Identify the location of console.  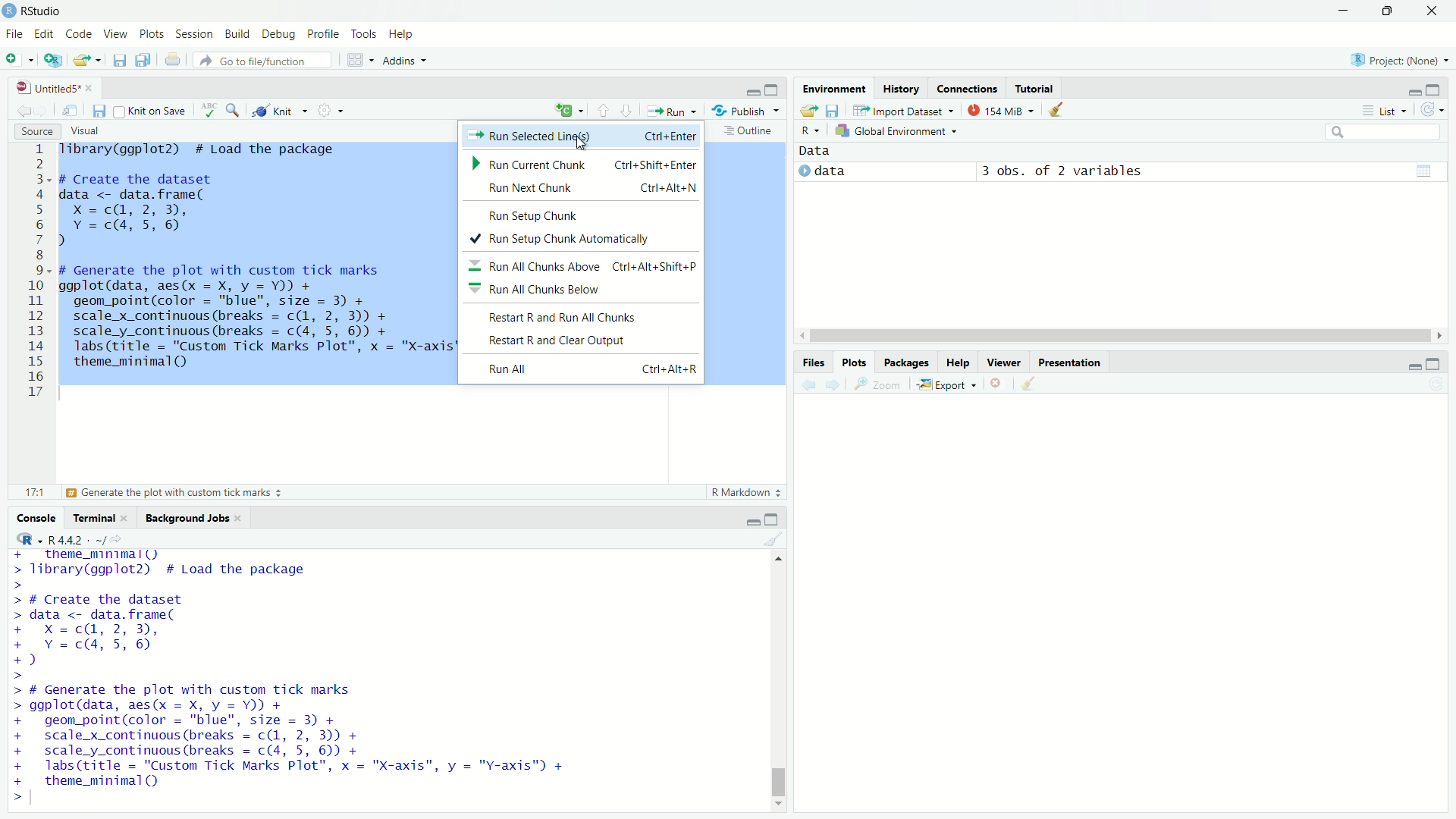
(32, 517).